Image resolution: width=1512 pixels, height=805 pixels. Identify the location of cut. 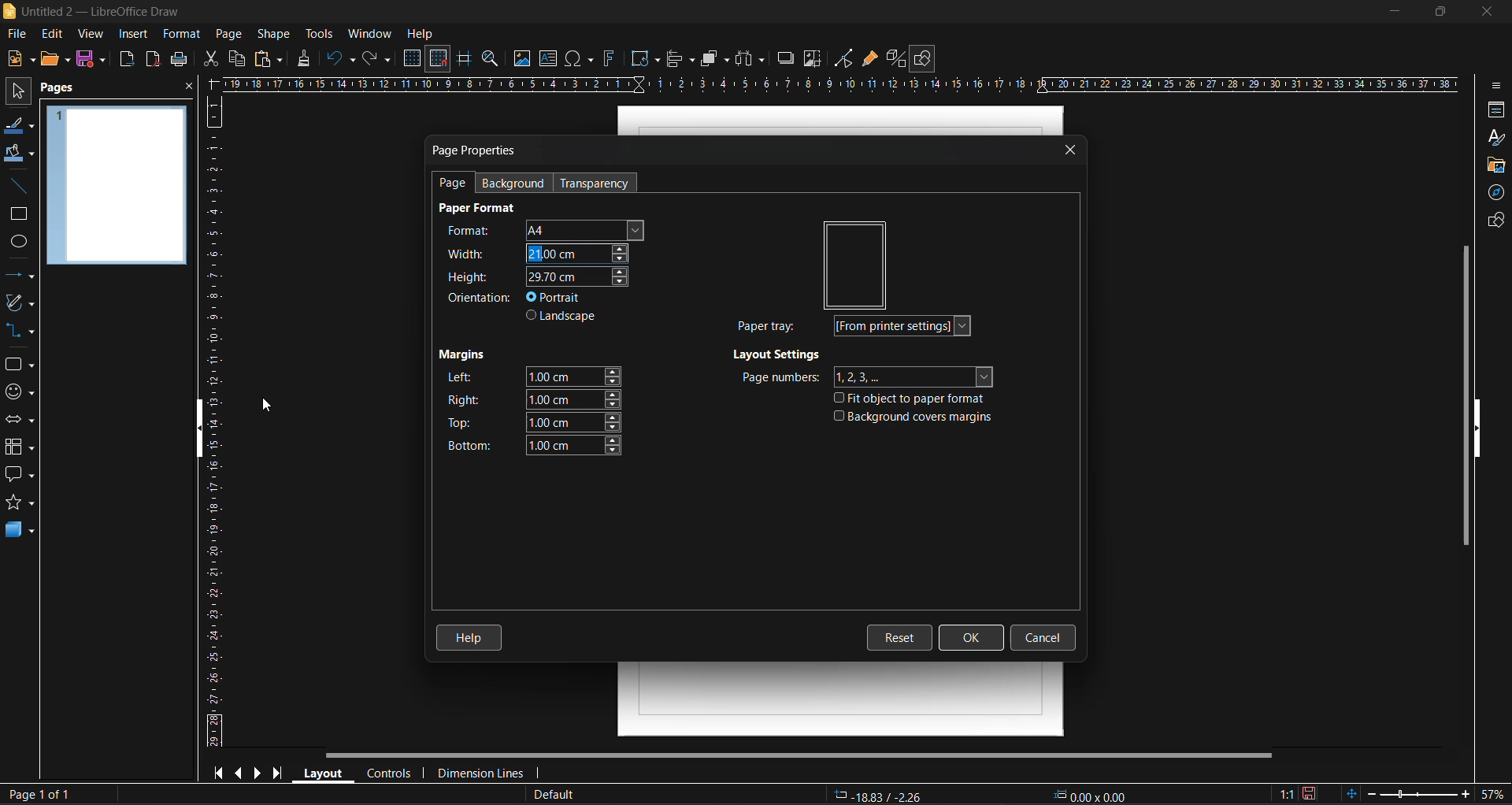
(207, 59).